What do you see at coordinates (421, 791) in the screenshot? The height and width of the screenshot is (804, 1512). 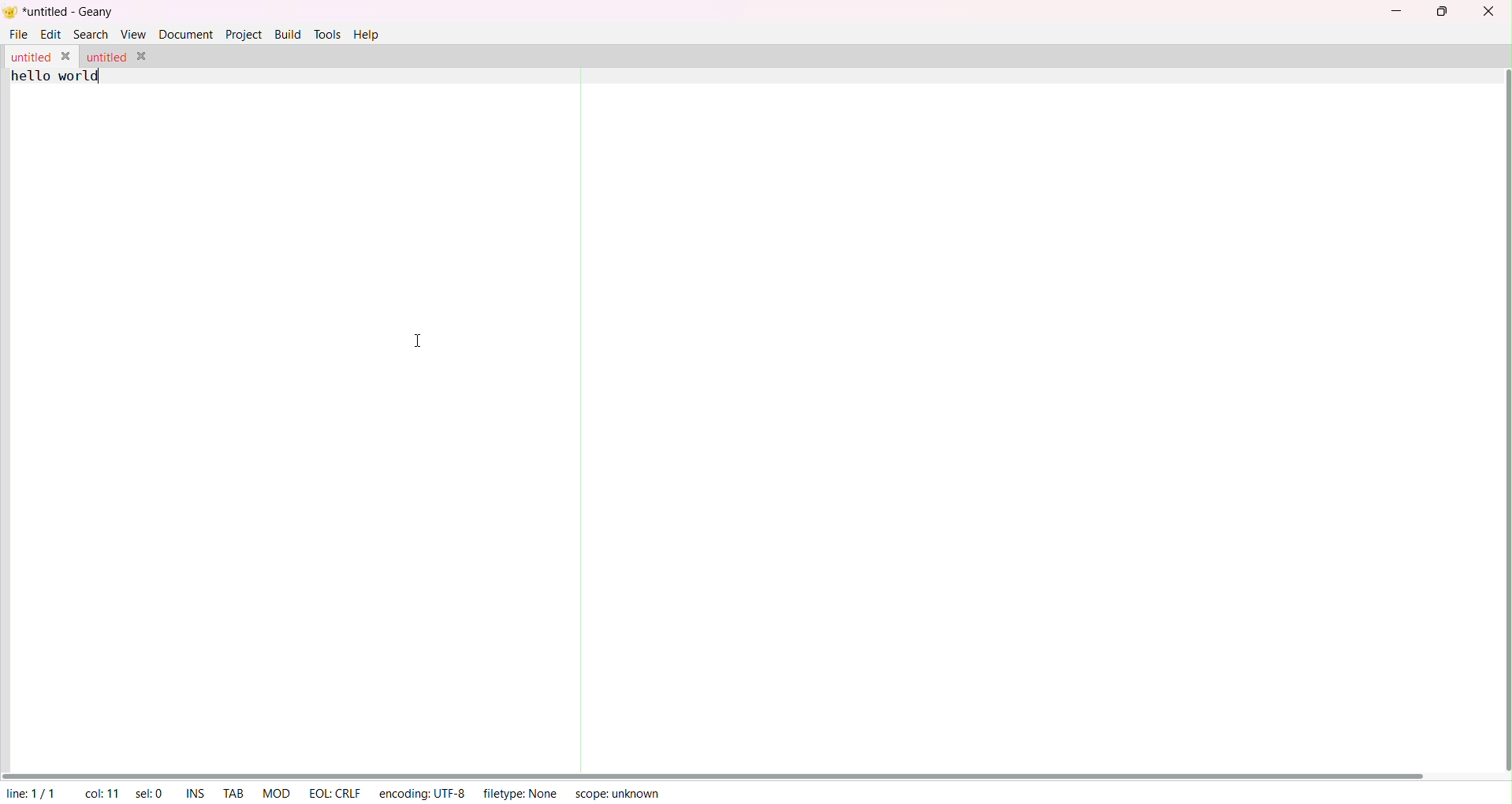 I see `encoding: UTF-8` at bounding box center [421, 791].